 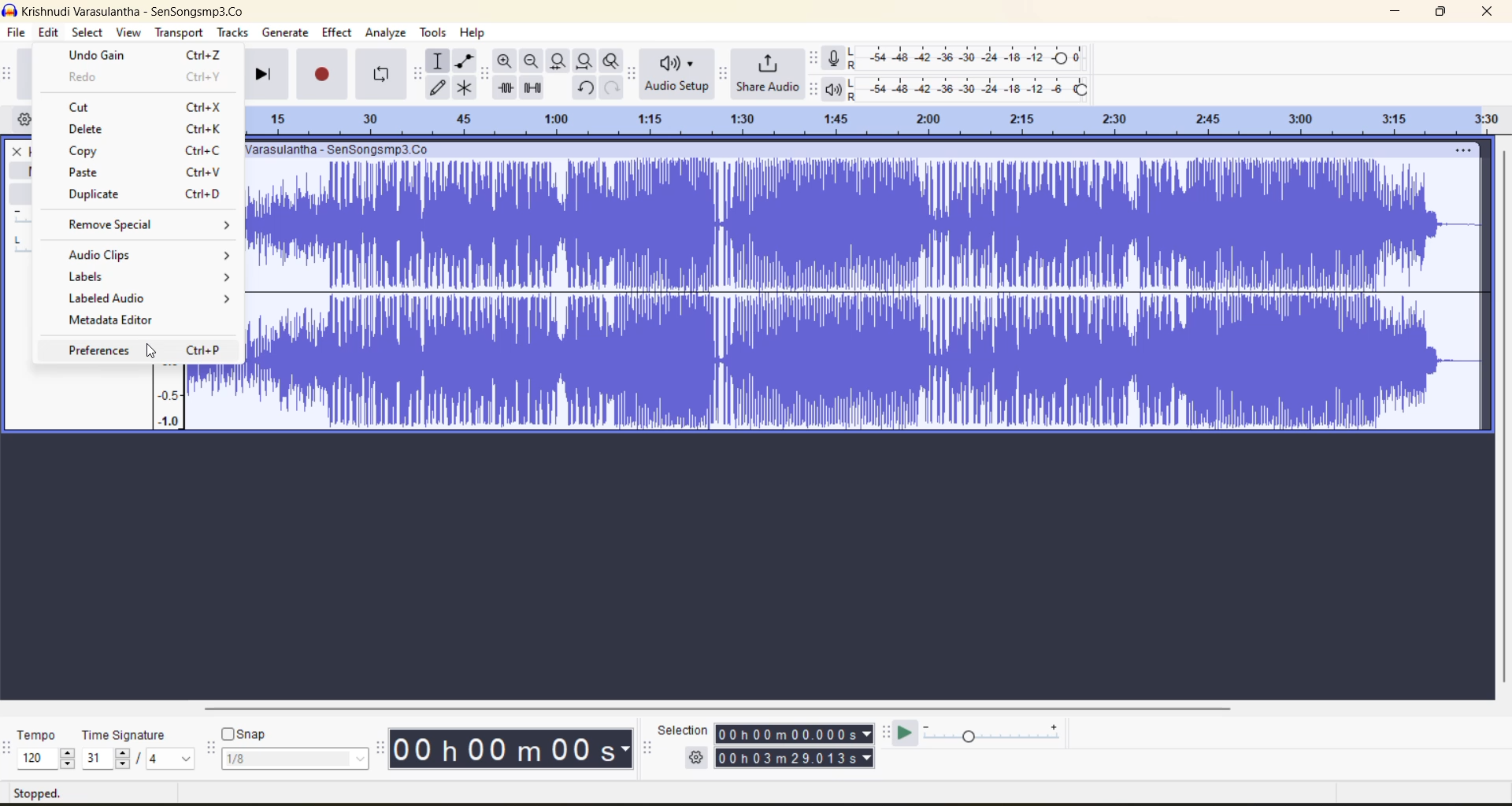 I want to click on minimize, so click(x=1399, y=13).